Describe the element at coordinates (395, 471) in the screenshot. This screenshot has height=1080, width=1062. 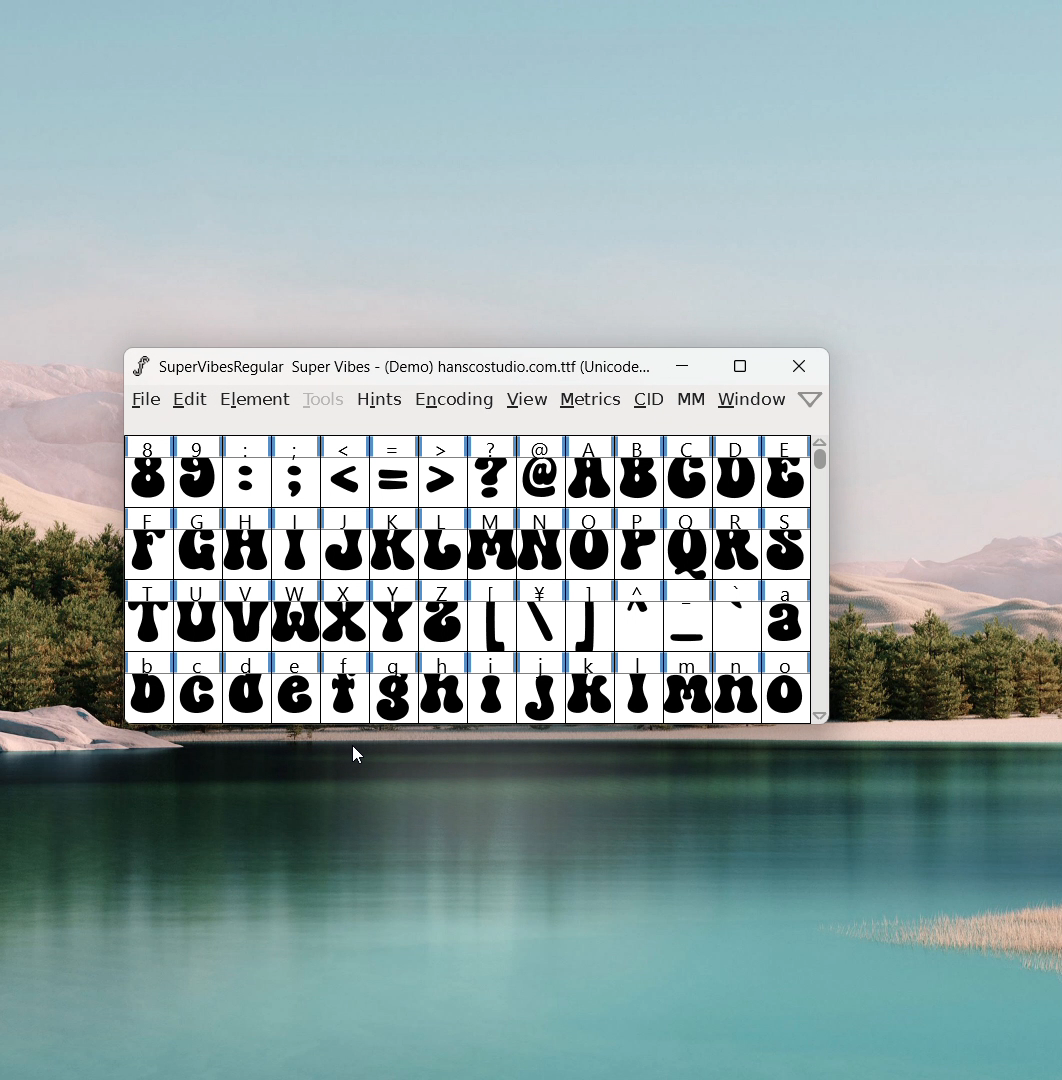
I see `=` at that location.